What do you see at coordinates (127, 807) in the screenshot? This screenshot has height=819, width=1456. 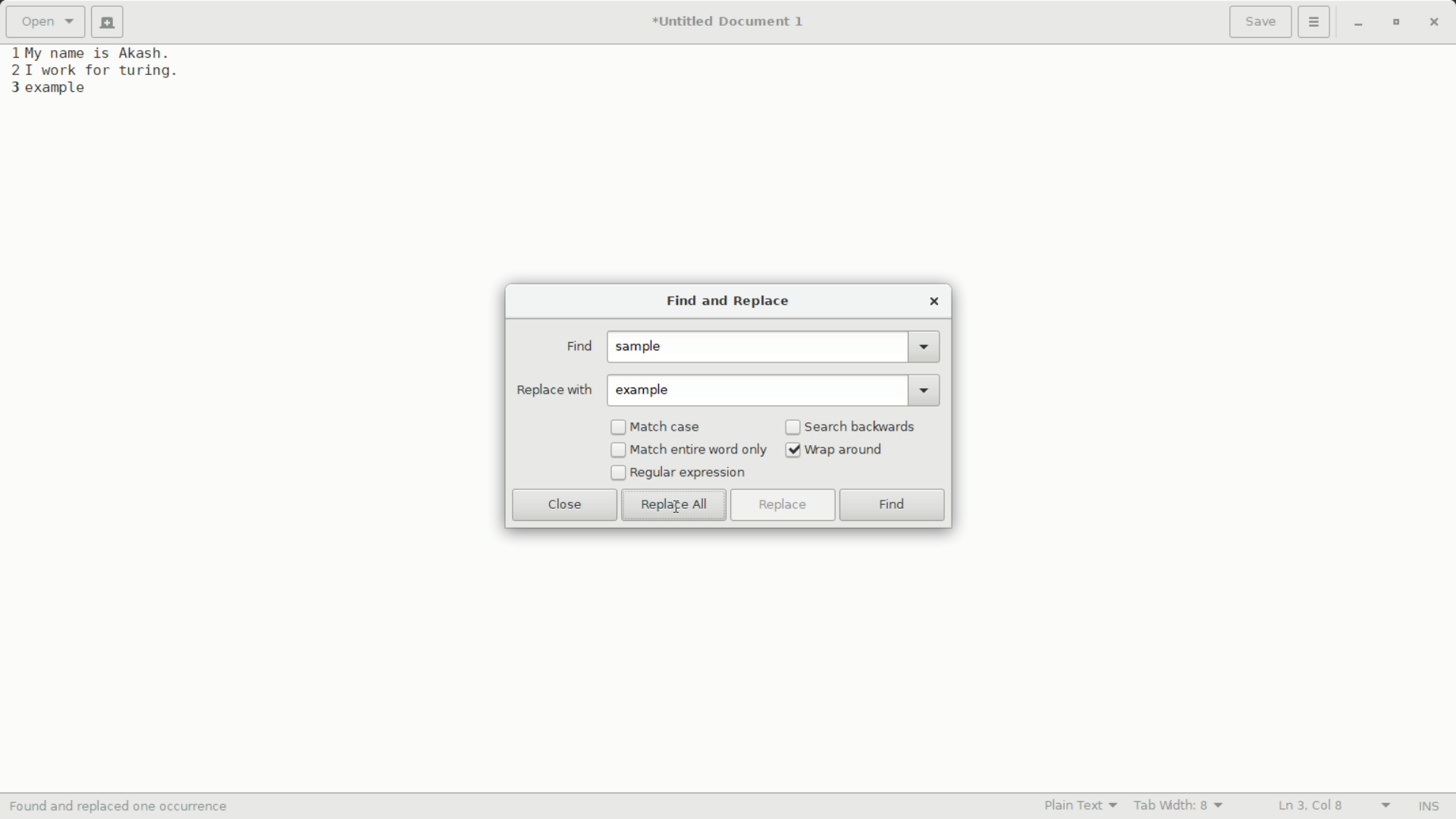 I see `found and replaced one occurrence ` at bounding box center [127, 807].